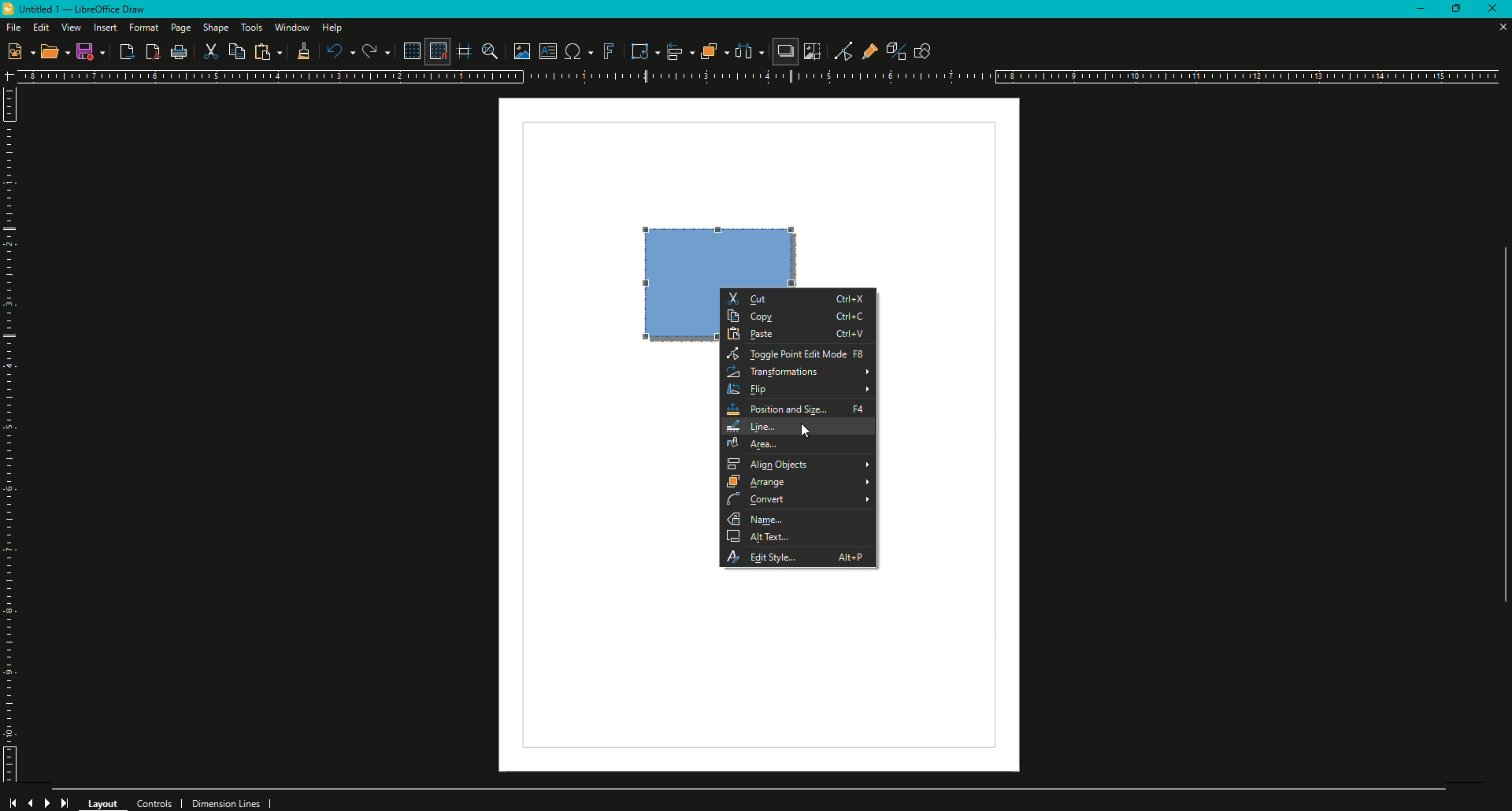  Describe the element at coordinates (291, 27) in the screenshot. I see `Window` at that location.